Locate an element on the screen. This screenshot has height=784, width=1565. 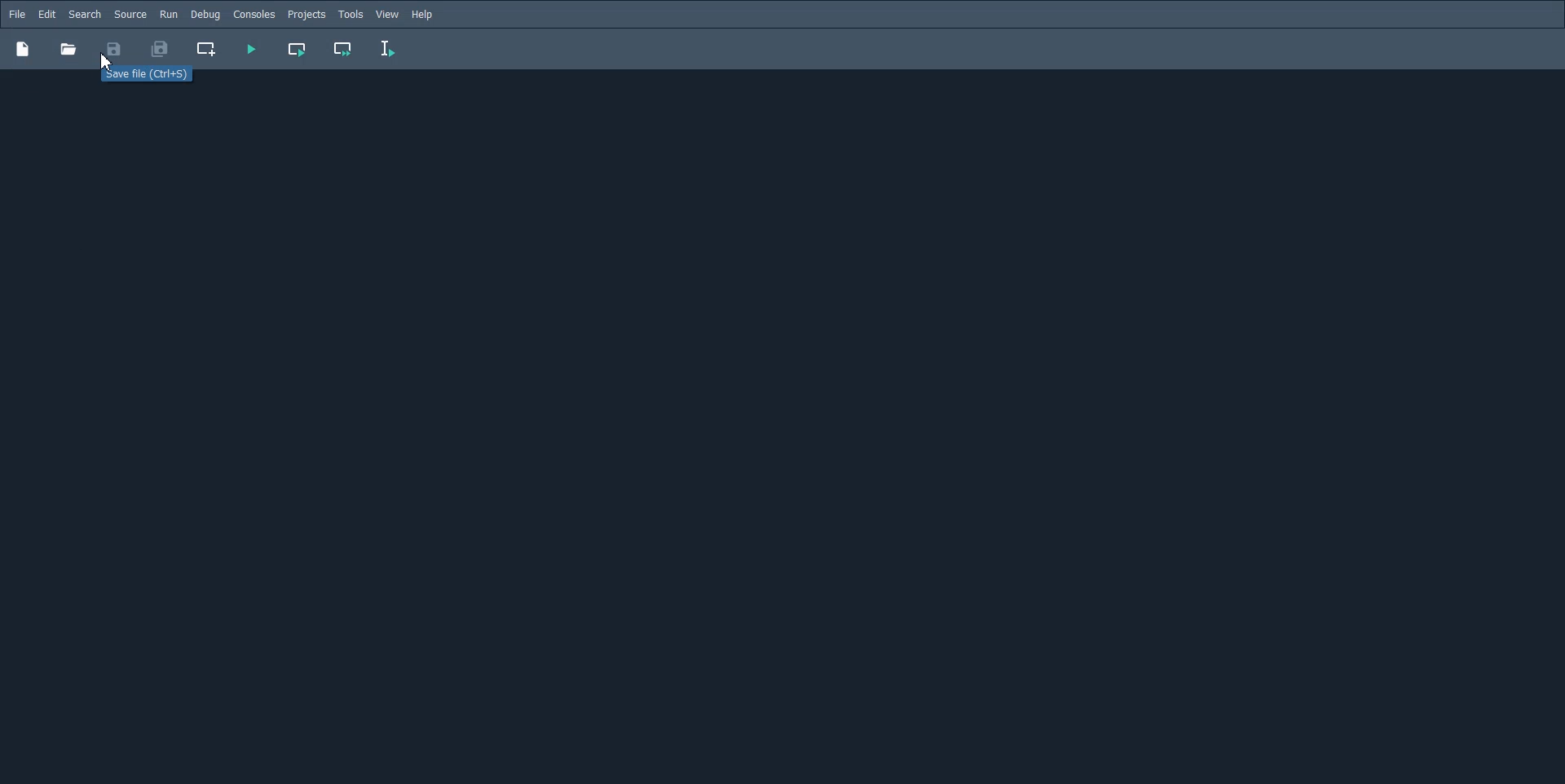
File is located at coordinates (17, 14).